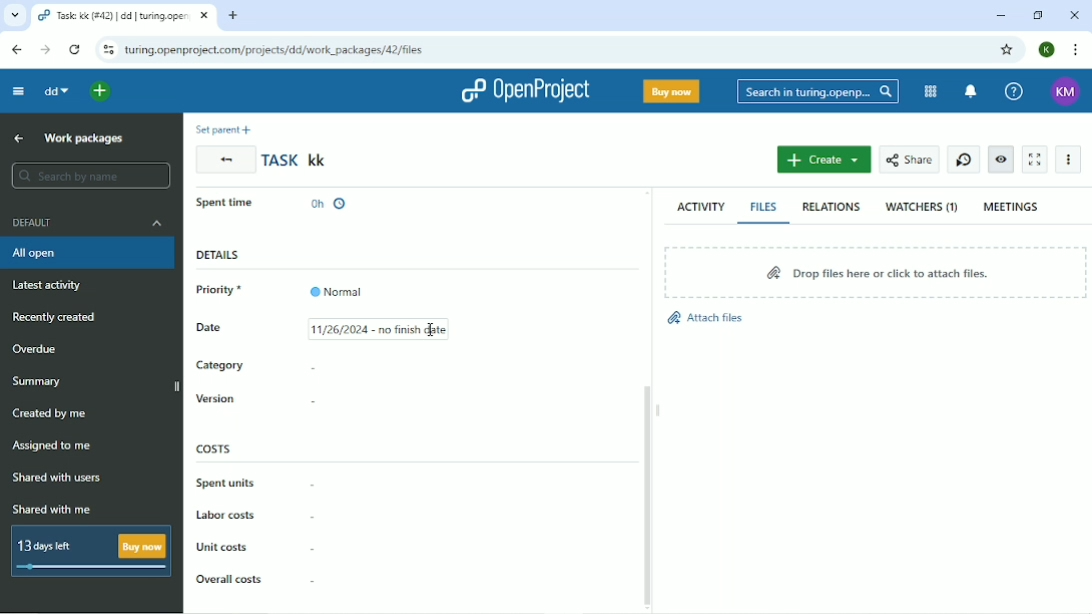 This screenshot has height=614, width=1092. Describe the element at coordinates (107, 50) in the screenshot. I see `View site information` at that location.